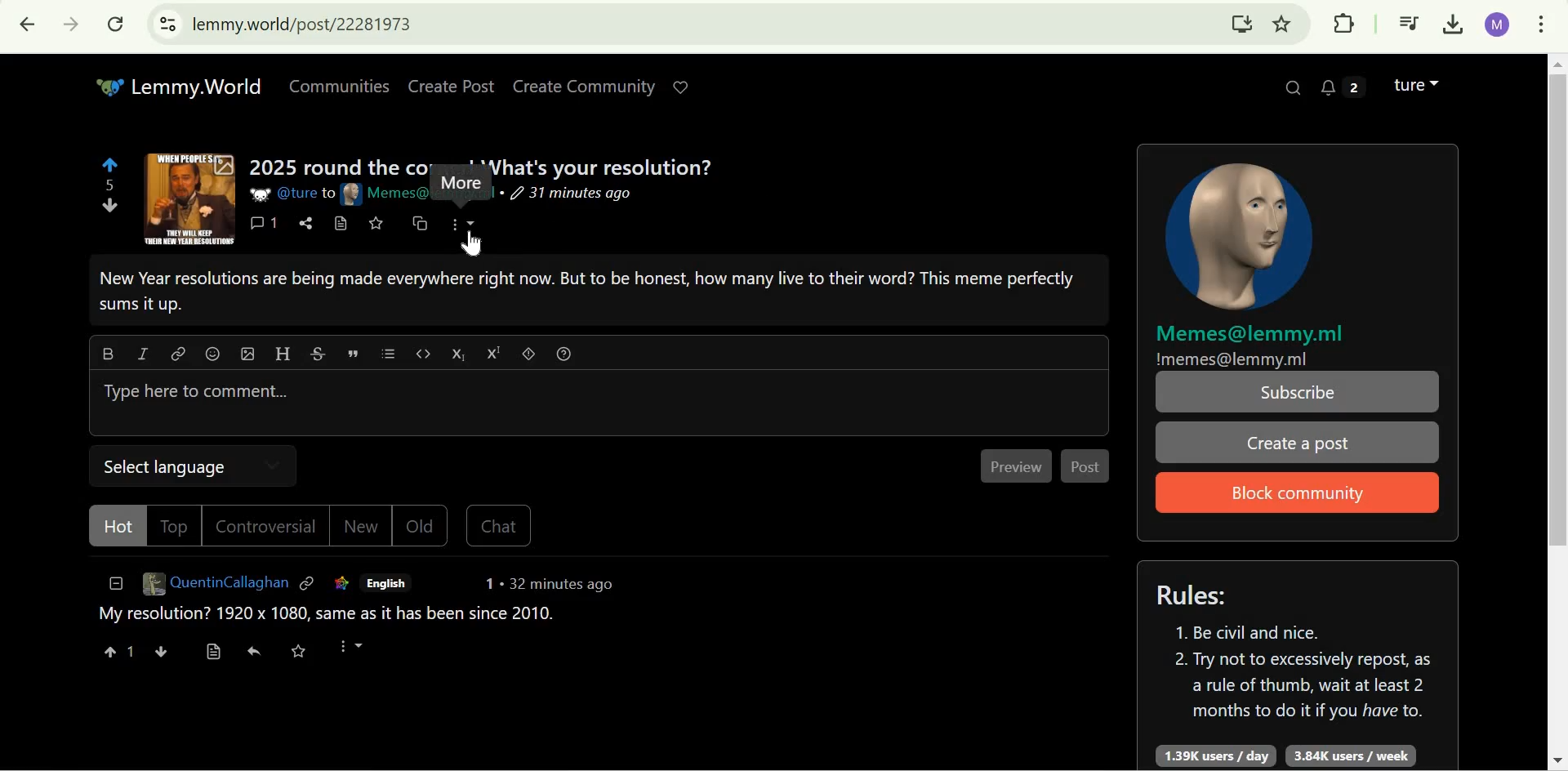  What do you see at coordinates (292, 192) in the screenshot?
I see `@ture to` at bounding box center [292, 192].